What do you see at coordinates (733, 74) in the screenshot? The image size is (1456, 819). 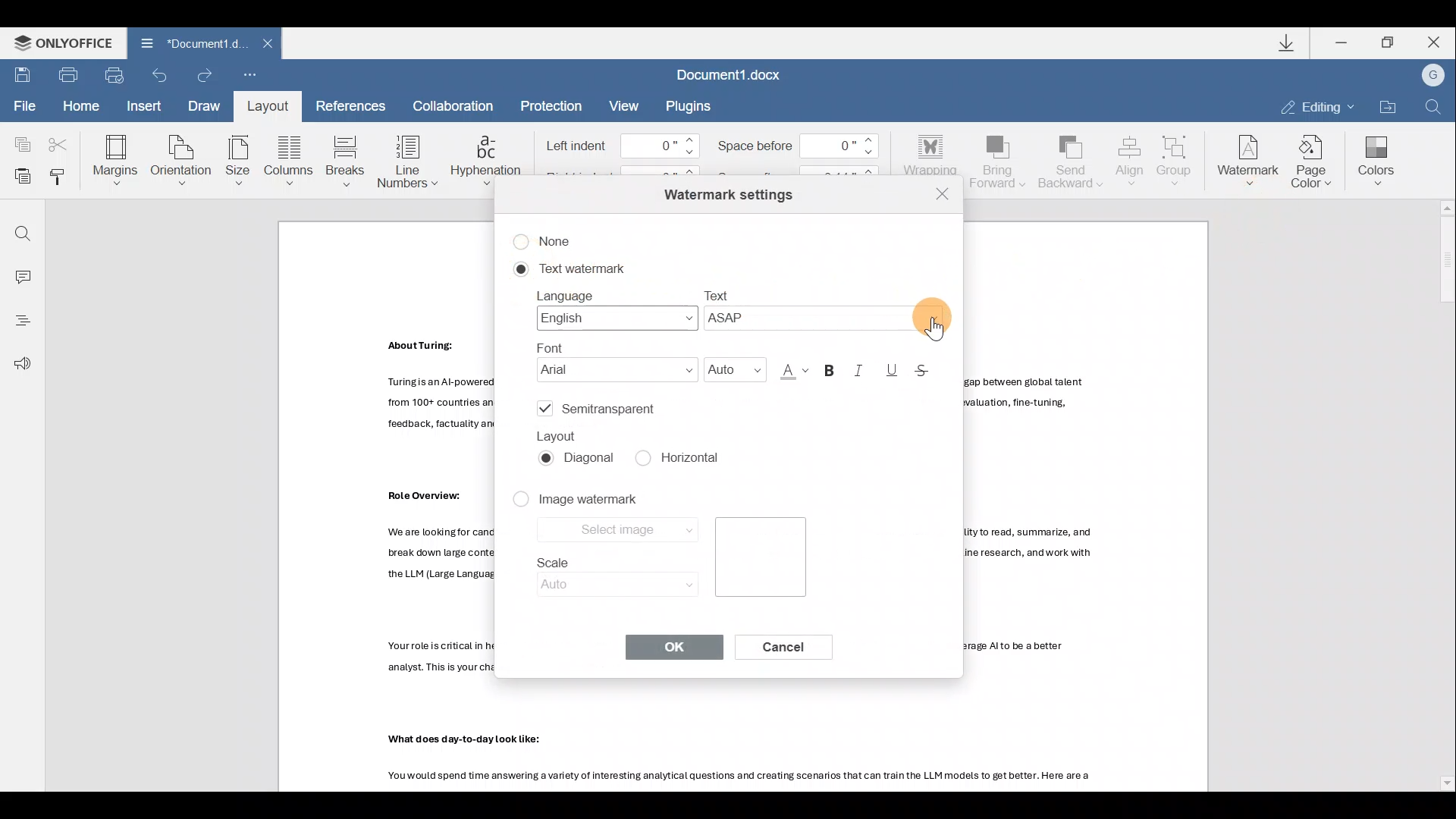 I see `Document1.docx` at bounding box center [733, 74].